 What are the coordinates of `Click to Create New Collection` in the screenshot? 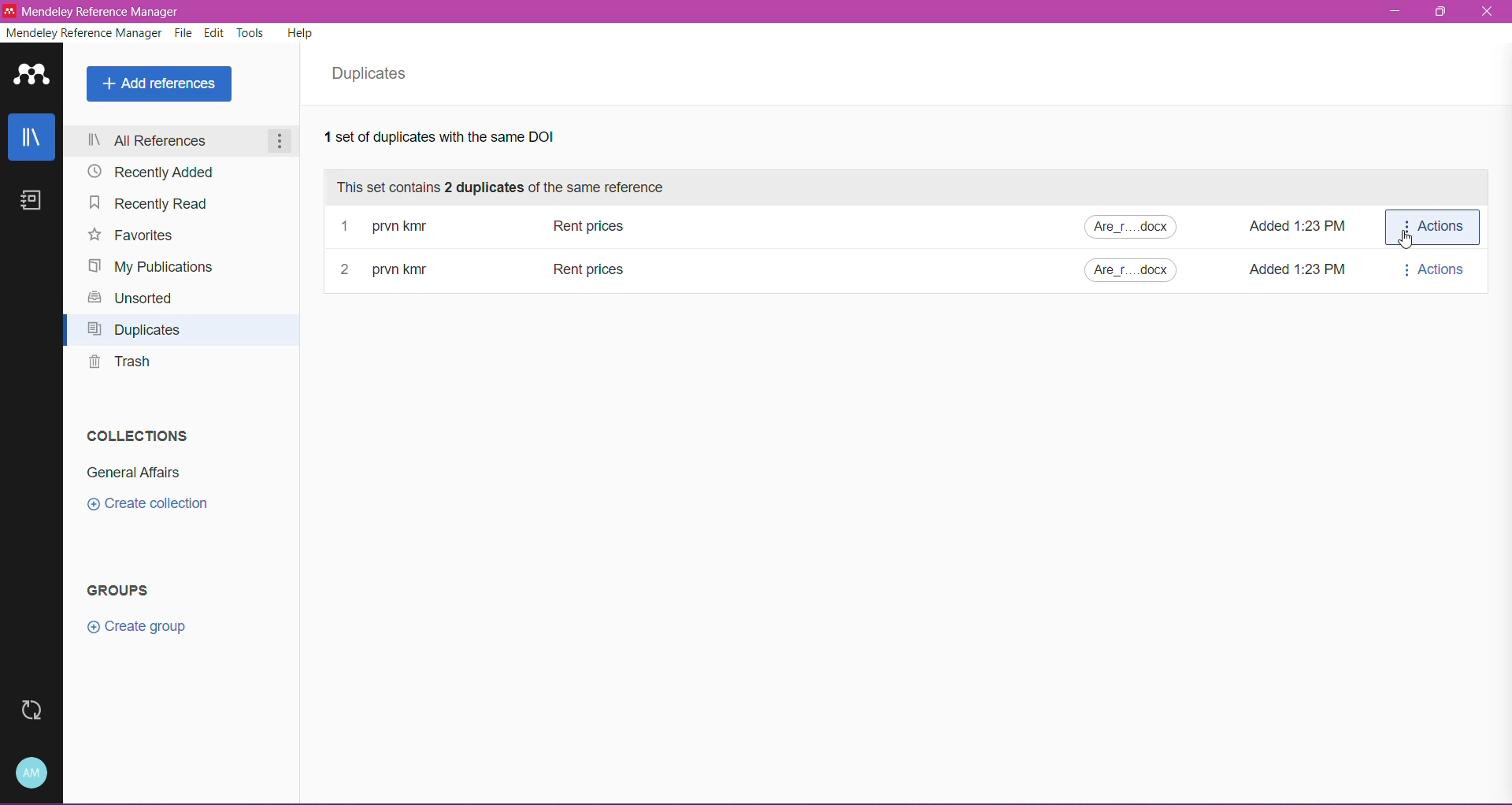 It's located at (158, 505).